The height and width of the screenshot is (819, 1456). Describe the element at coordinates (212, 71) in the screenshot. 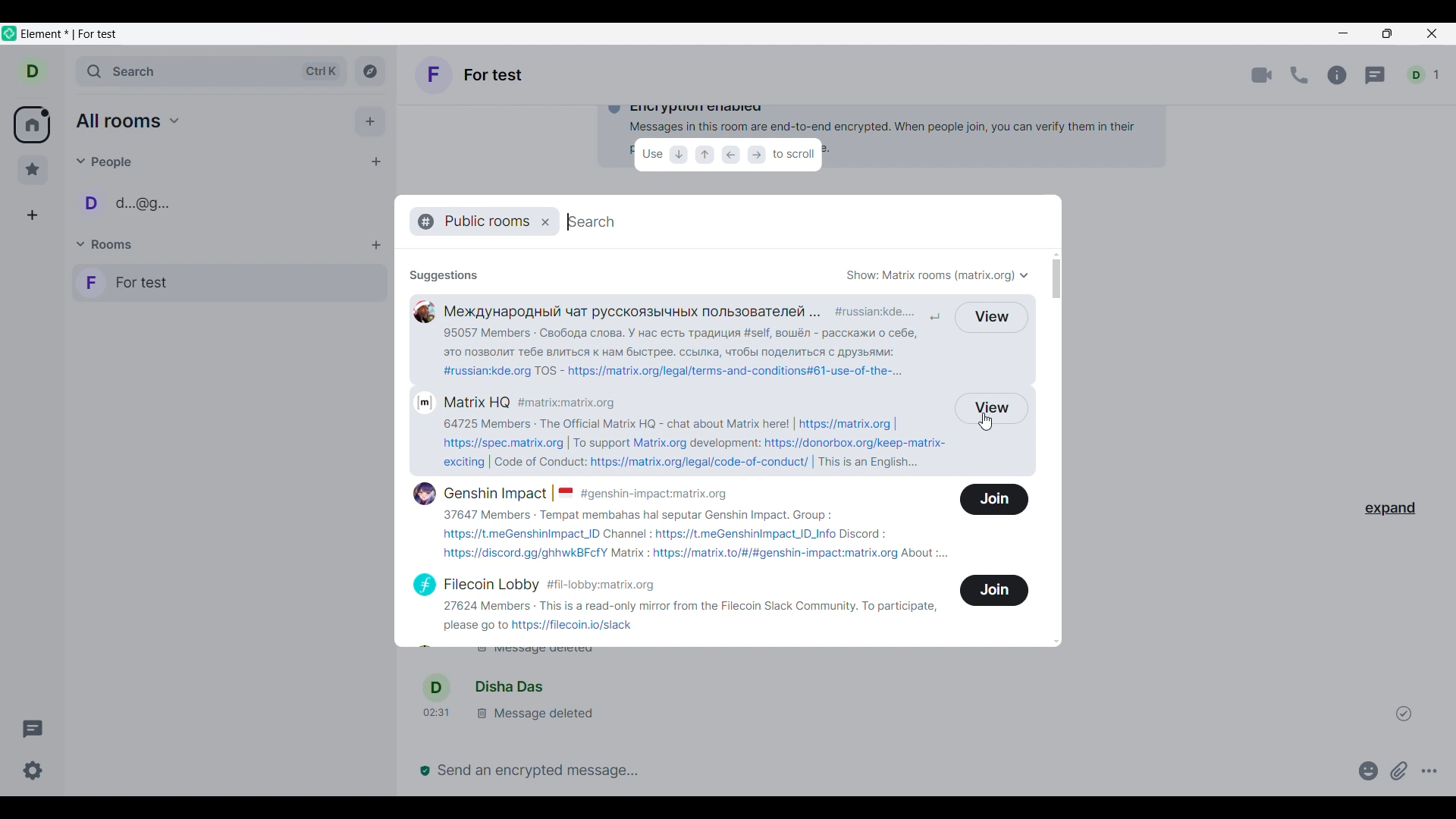

I see `Search` at that location.